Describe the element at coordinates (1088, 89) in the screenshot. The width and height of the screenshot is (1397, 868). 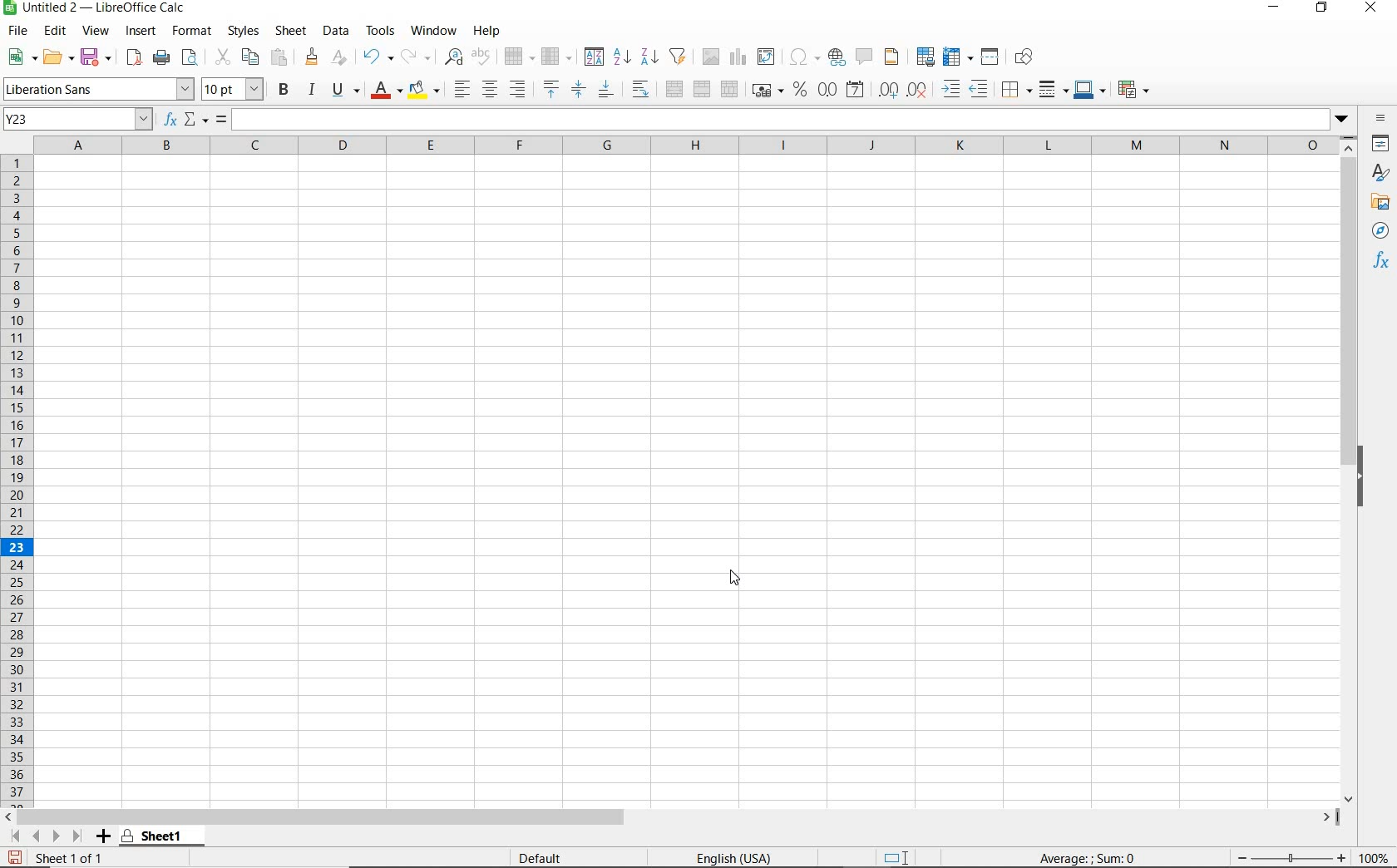
I see `BORDER COLOR` at that location.